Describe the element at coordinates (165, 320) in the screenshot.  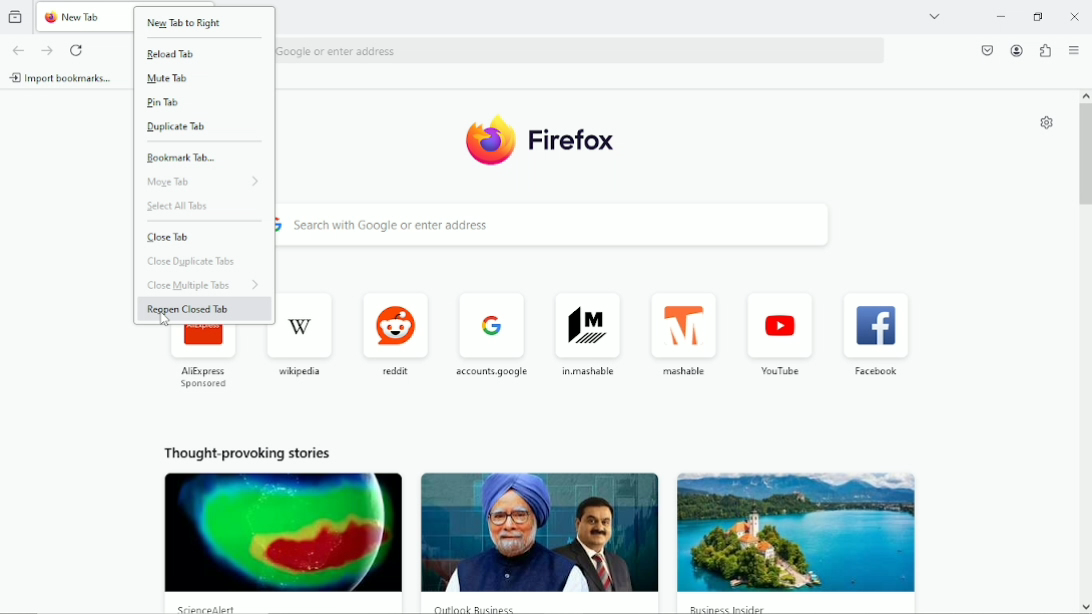
I see `cursor` at that location.